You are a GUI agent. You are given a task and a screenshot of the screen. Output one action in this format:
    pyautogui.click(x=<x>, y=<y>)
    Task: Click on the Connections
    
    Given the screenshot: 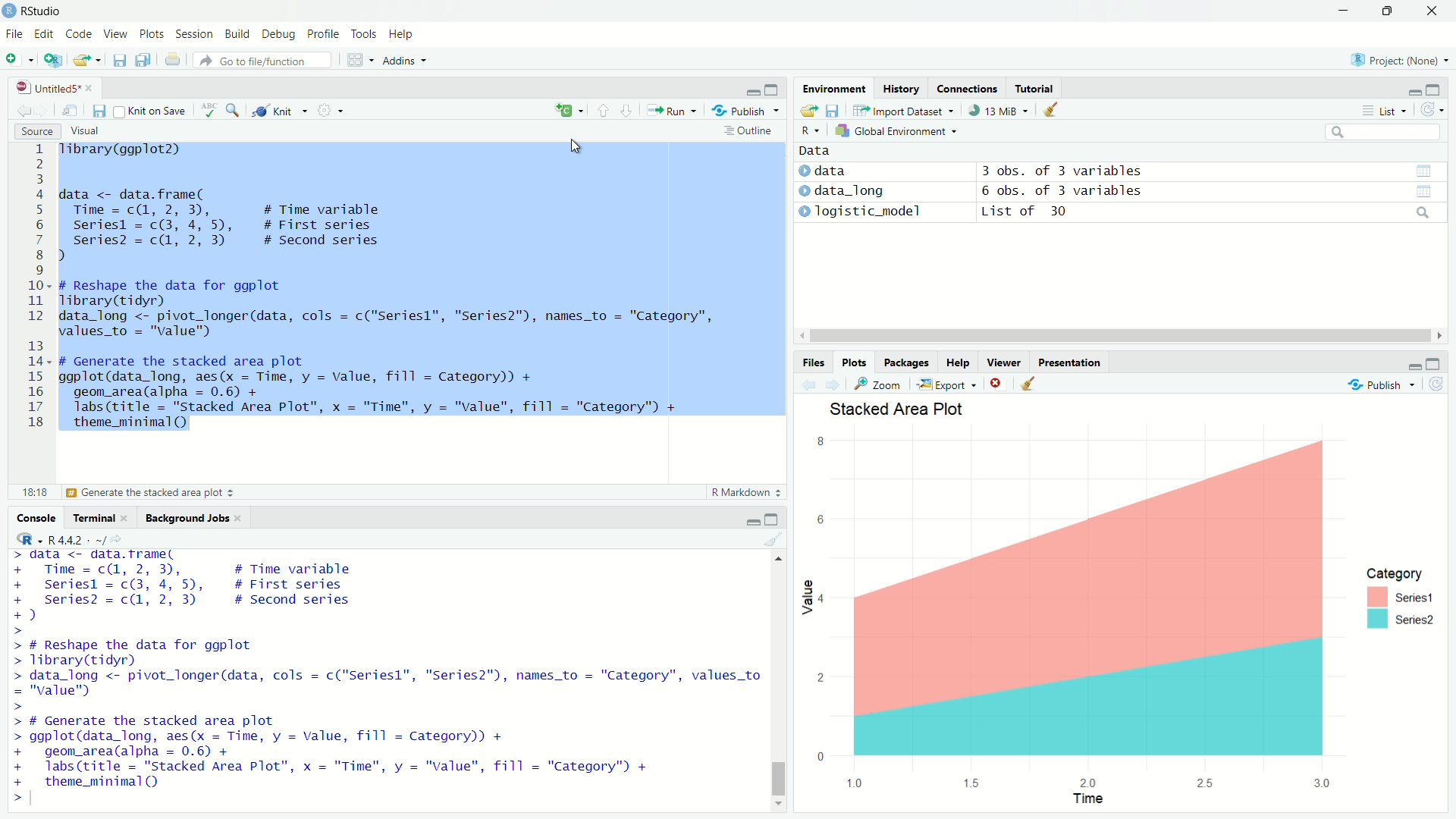 What is the action you would take?
    pyautogui.click(x=968, y=88)
    